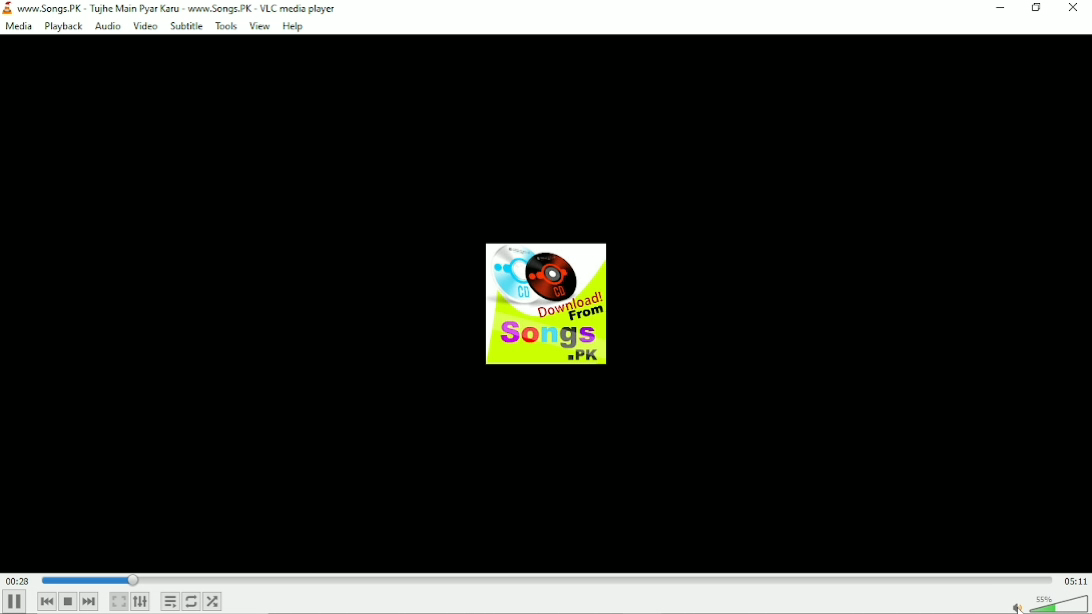  Describe the element at coordinates (226, 26) in the screenshot. I see `Tools` at that location.